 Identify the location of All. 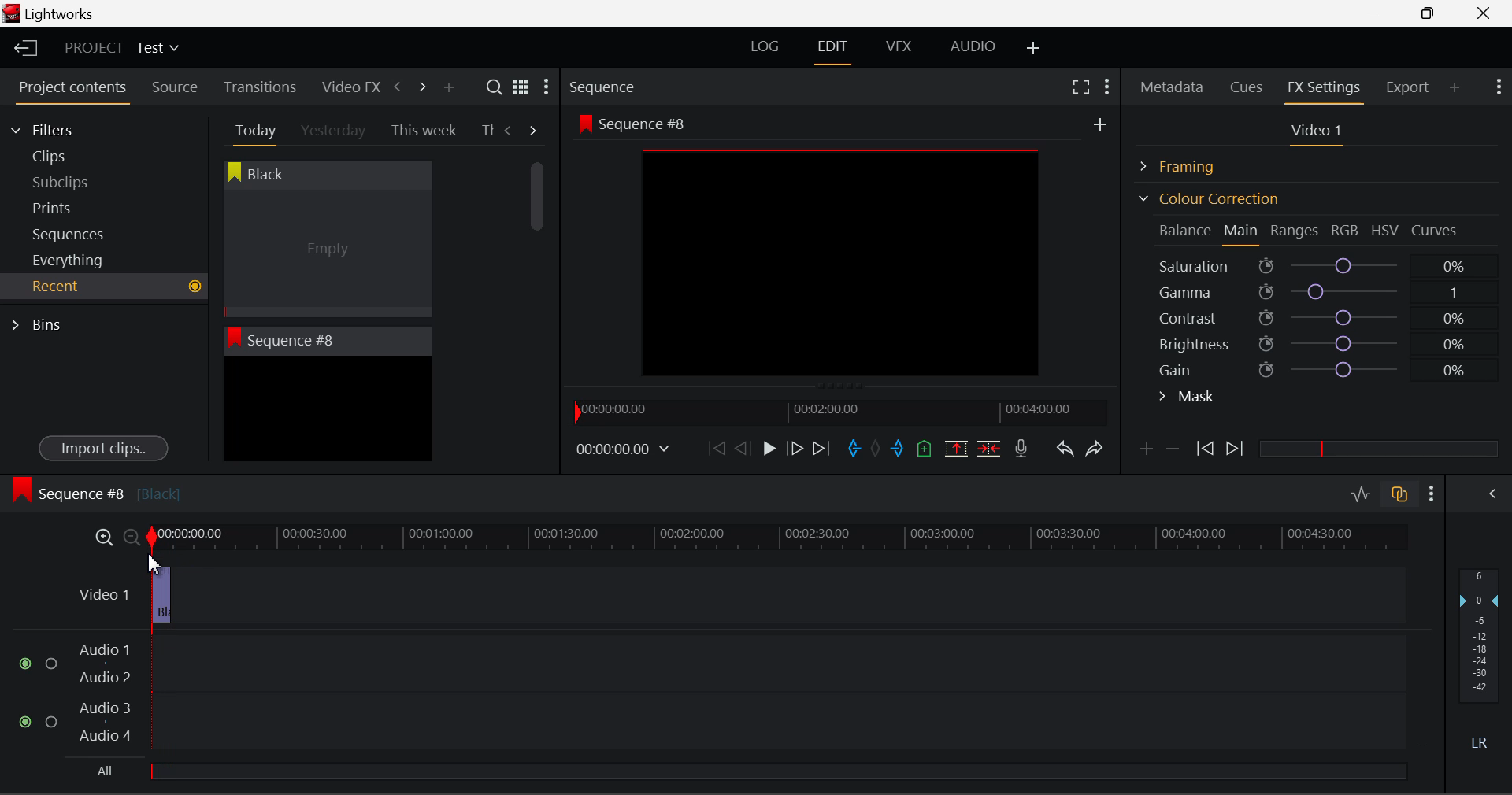
(102, 771).